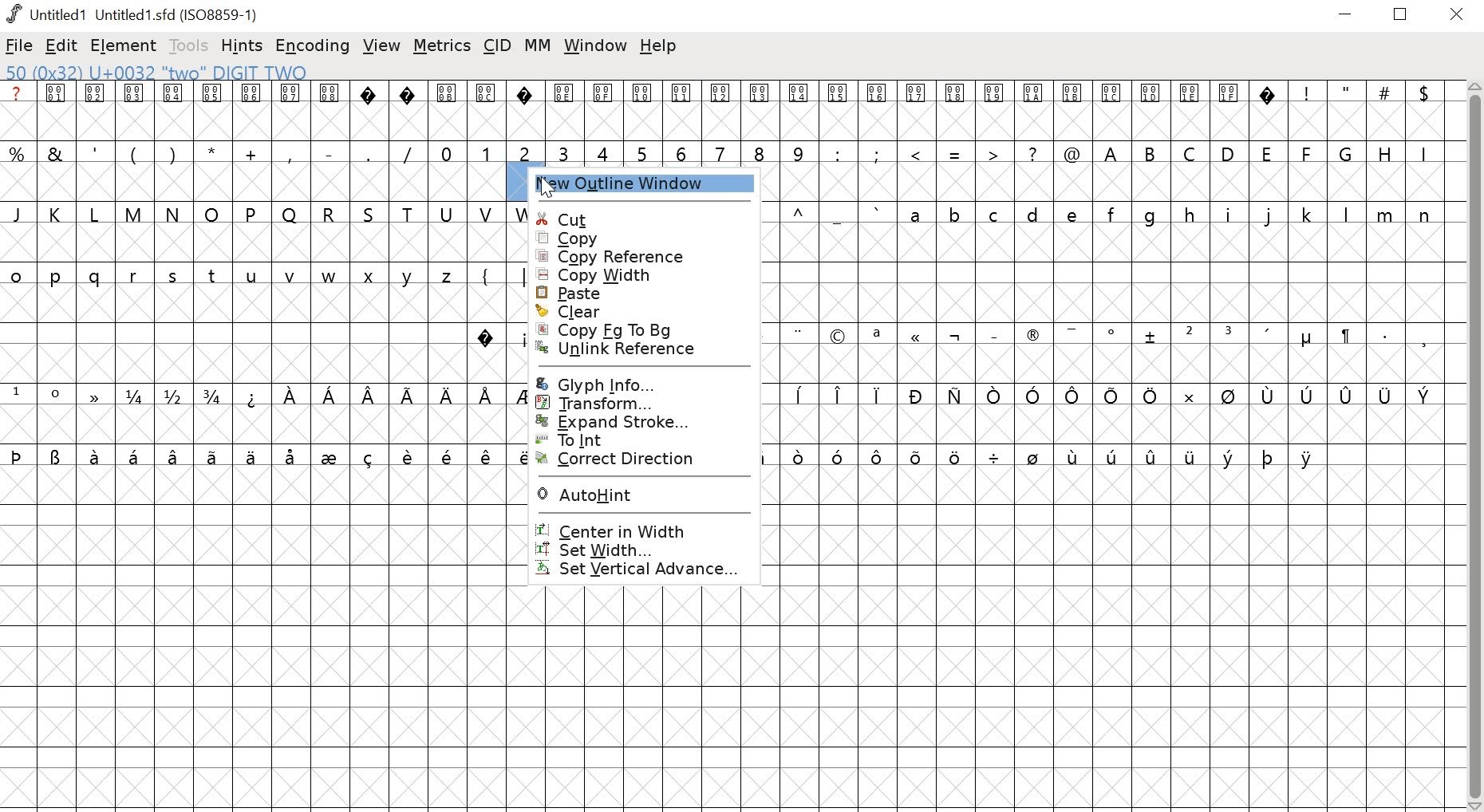  Describe the element at coordinates (641, 570) in the screenshot. I see `SET VERTICAL ADVANCE` at that location.